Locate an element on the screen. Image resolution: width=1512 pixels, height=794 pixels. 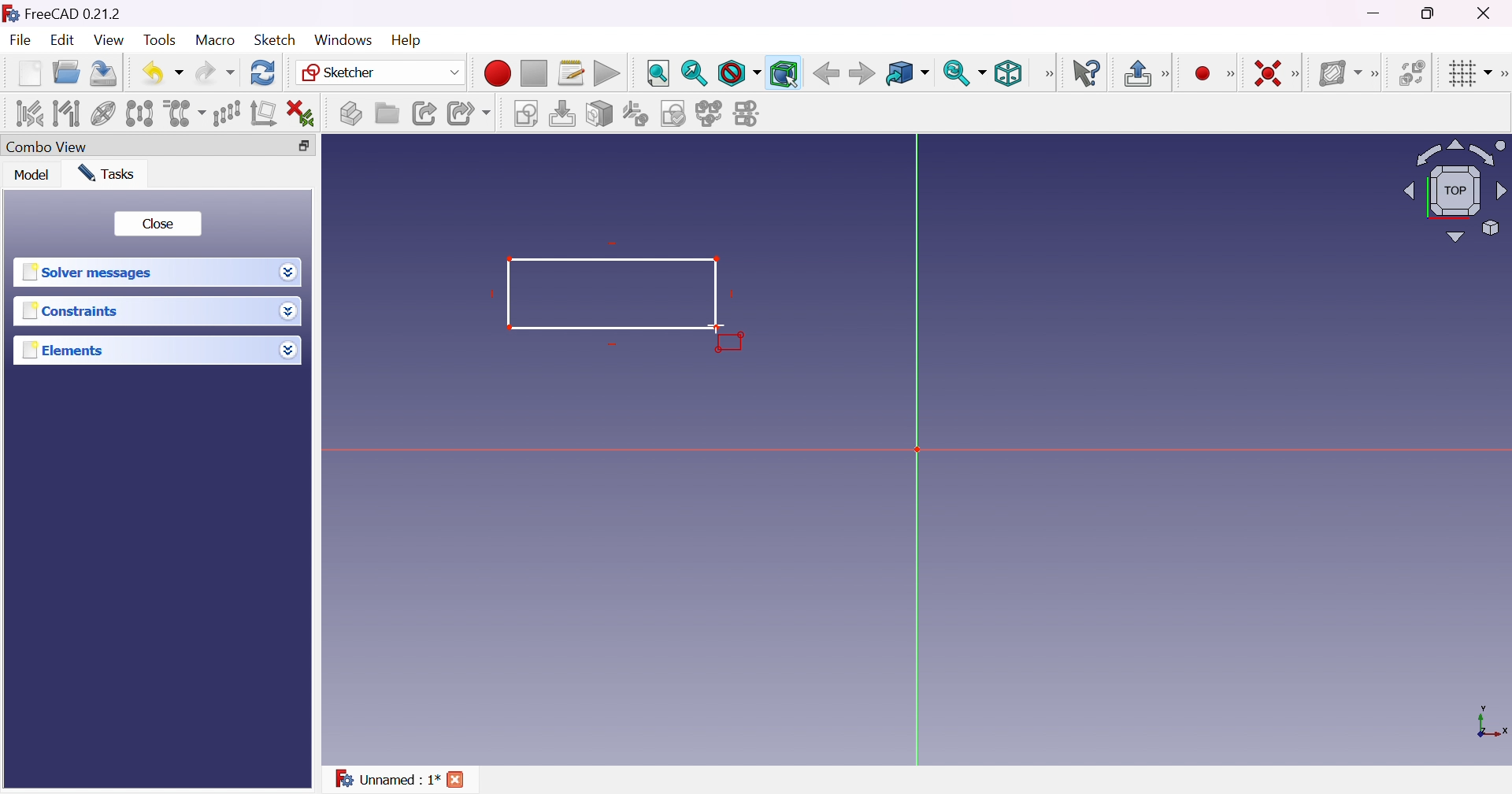
Execute macro is located at coordinates (607, 74).